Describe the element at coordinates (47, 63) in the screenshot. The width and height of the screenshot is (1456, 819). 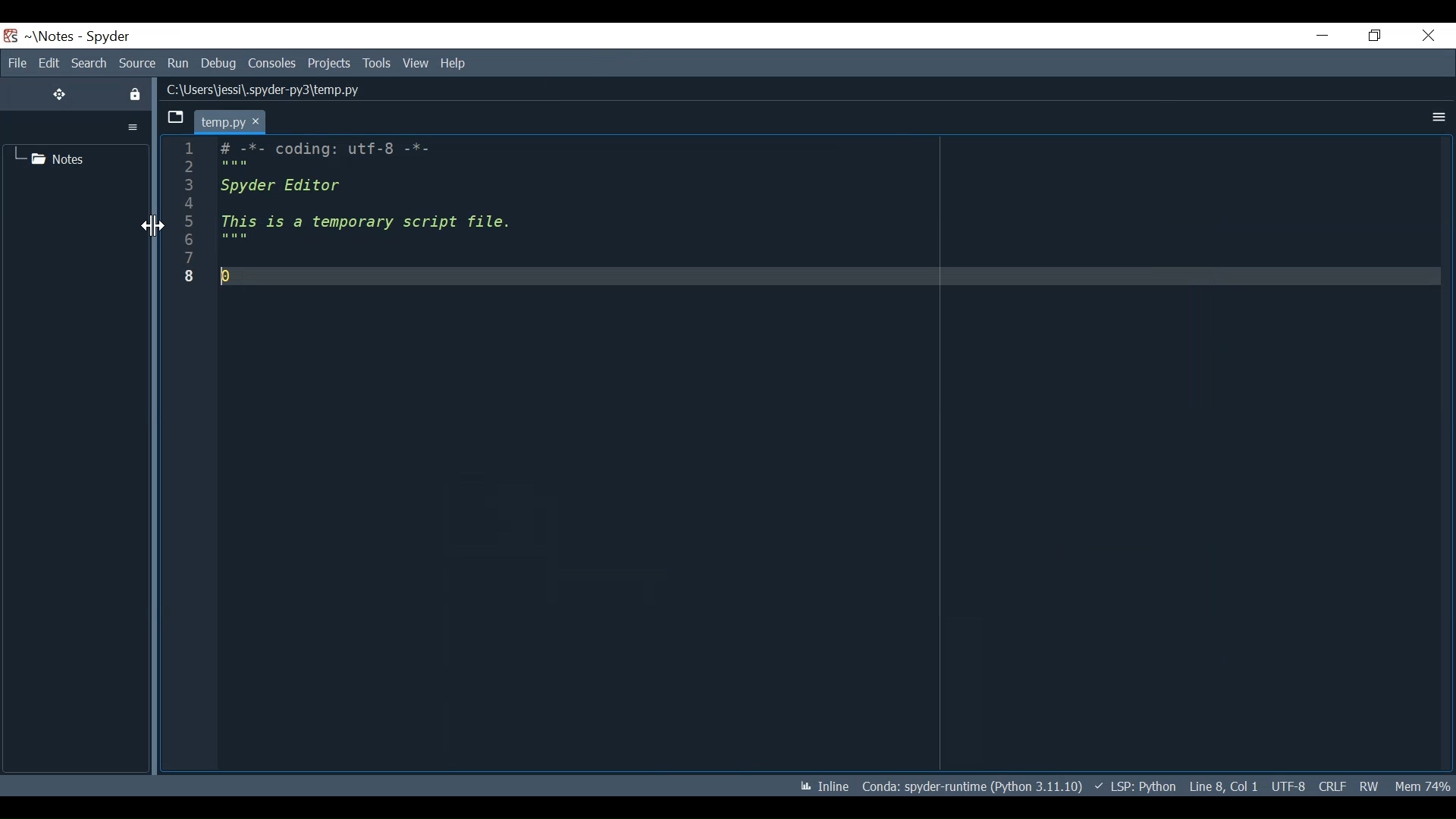
I see `Edit` at that location.